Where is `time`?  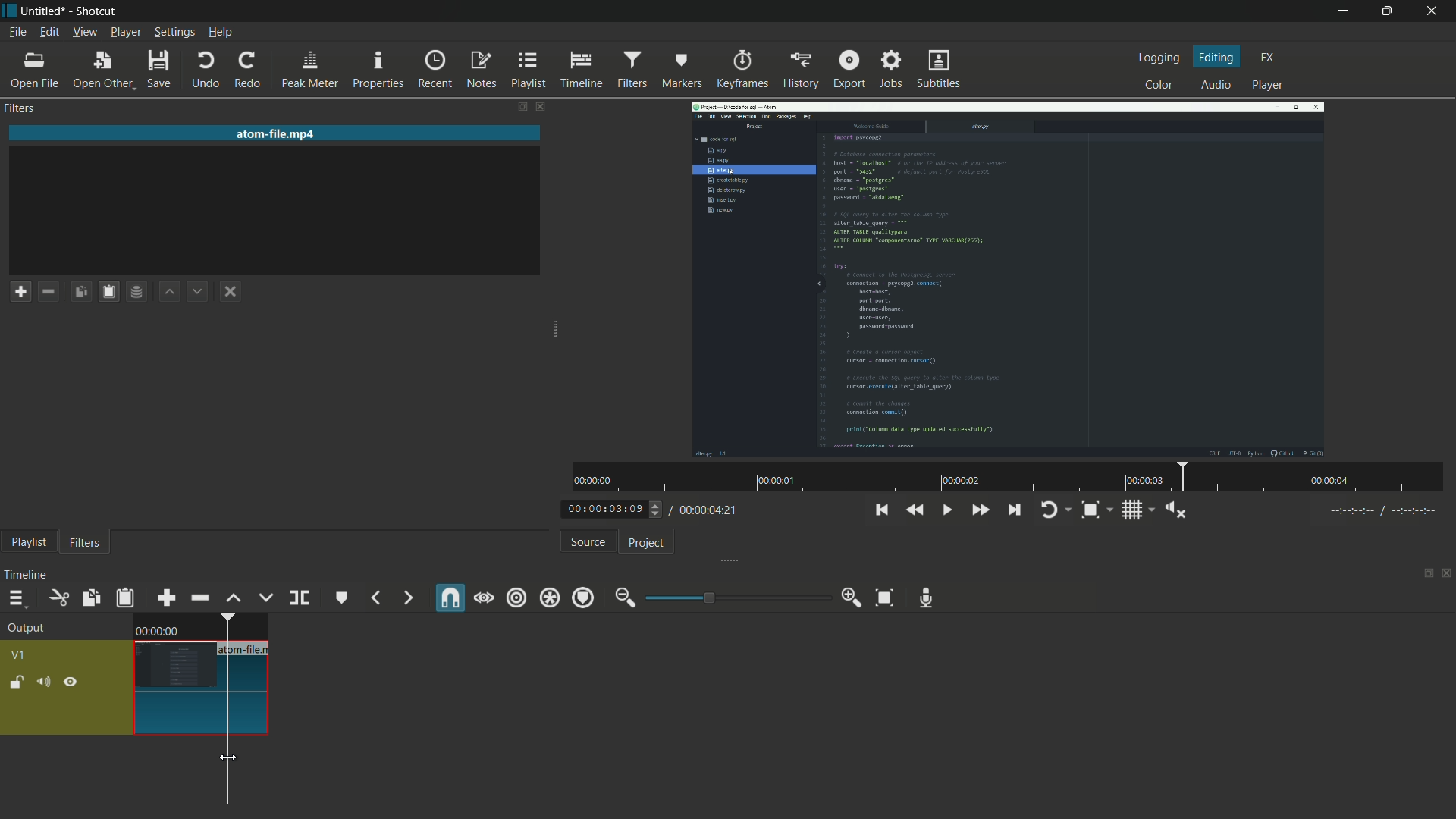 time is located at coordinates (1005, 478).